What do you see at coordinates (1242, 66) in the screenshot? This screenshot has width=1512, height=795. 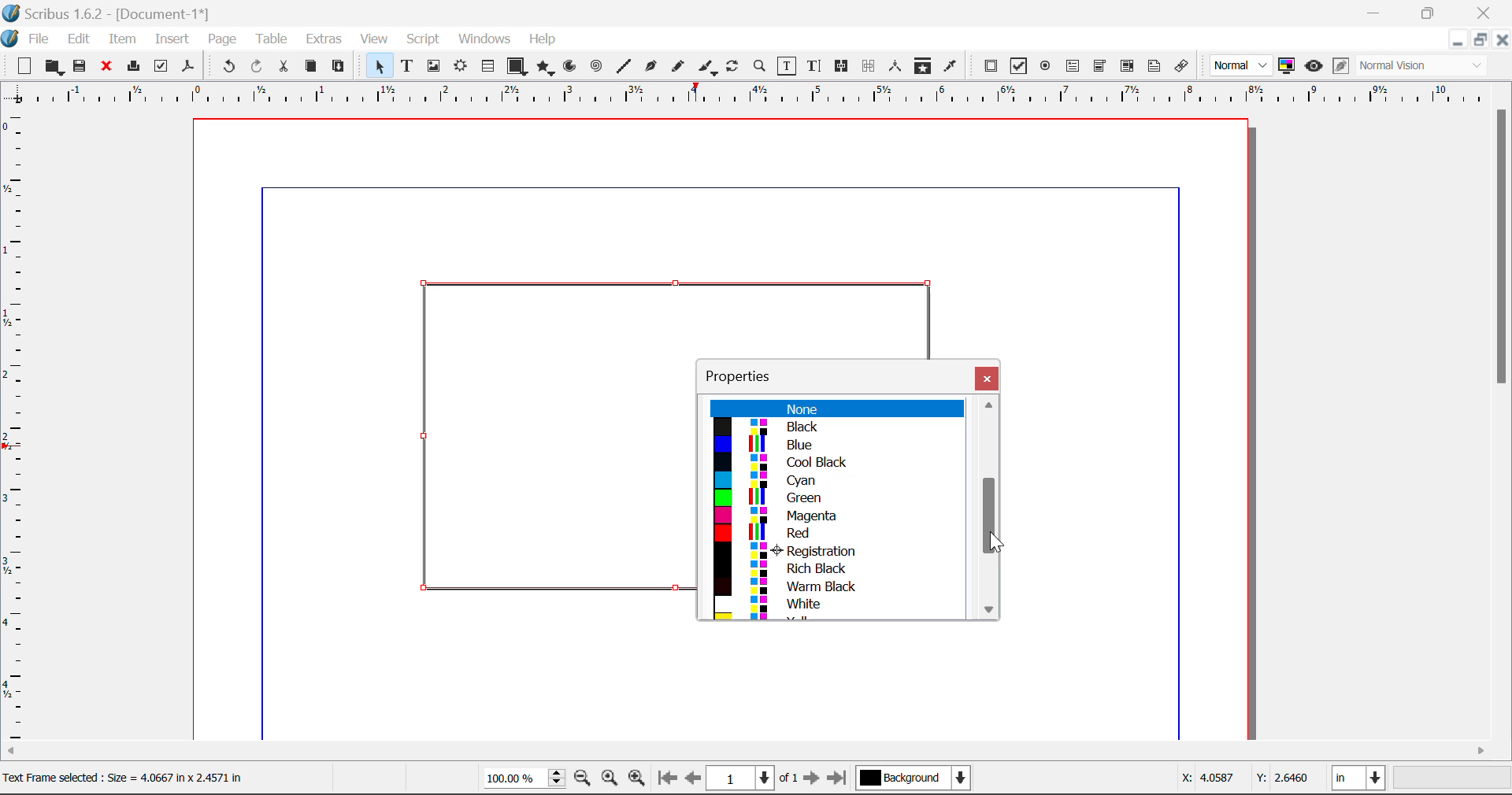 I see `Preview Mode` at bounding box center [1242, 66].